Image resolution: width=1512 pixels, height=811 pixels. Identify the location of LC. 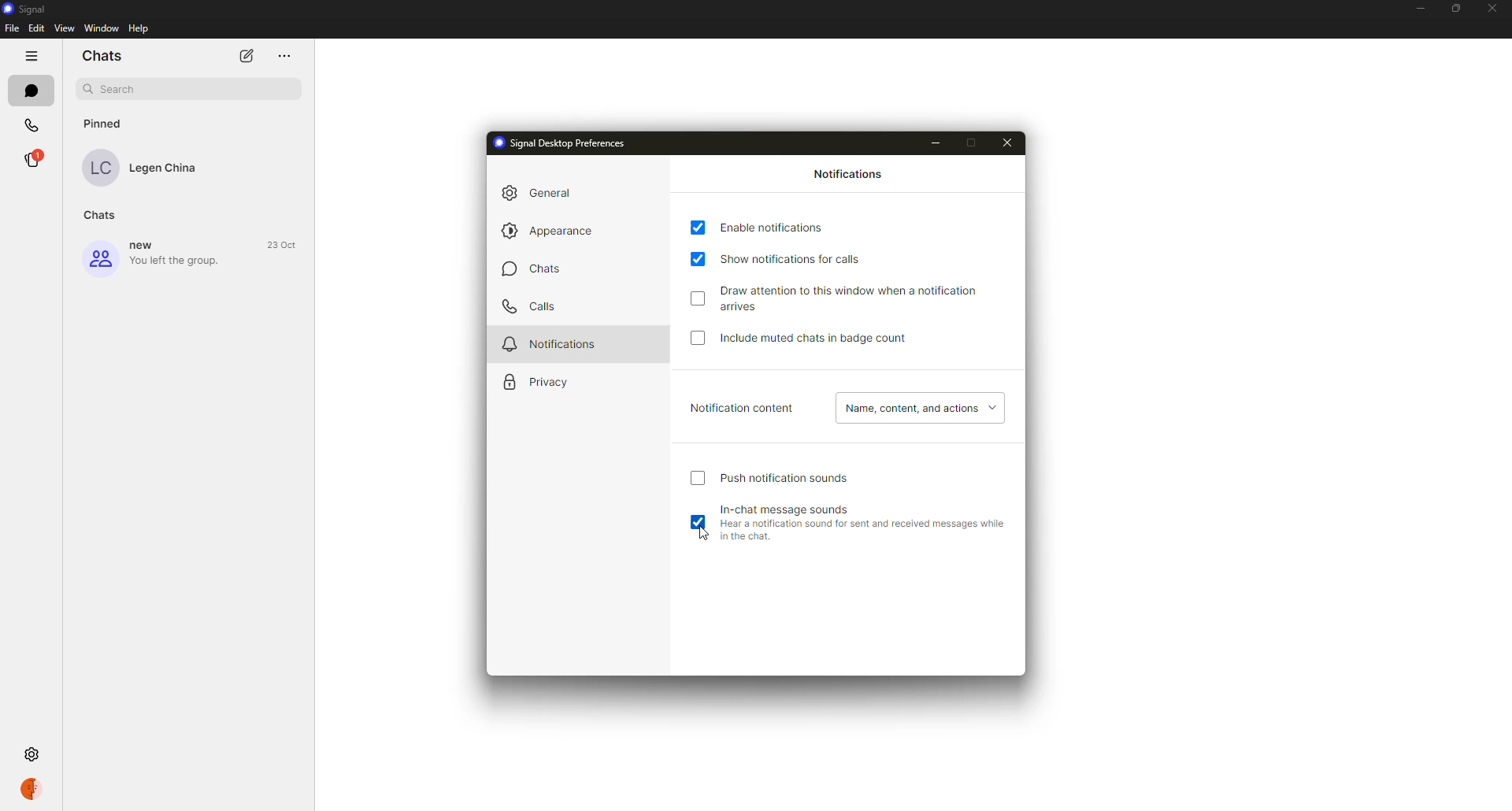
(99, 168).